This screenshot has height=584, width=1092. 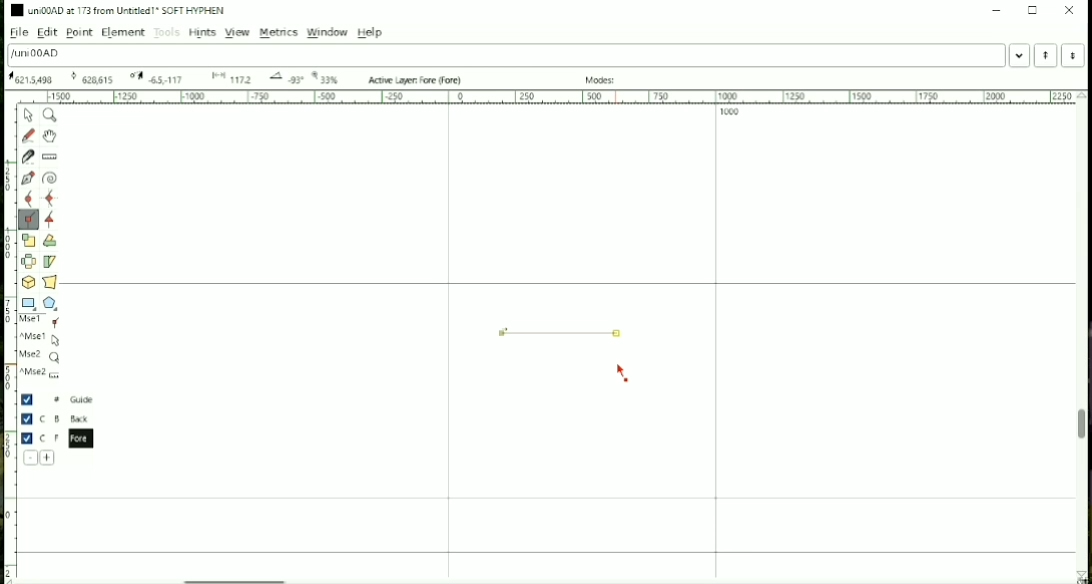 I want to click on Magnify, so click(x=51, y=115).